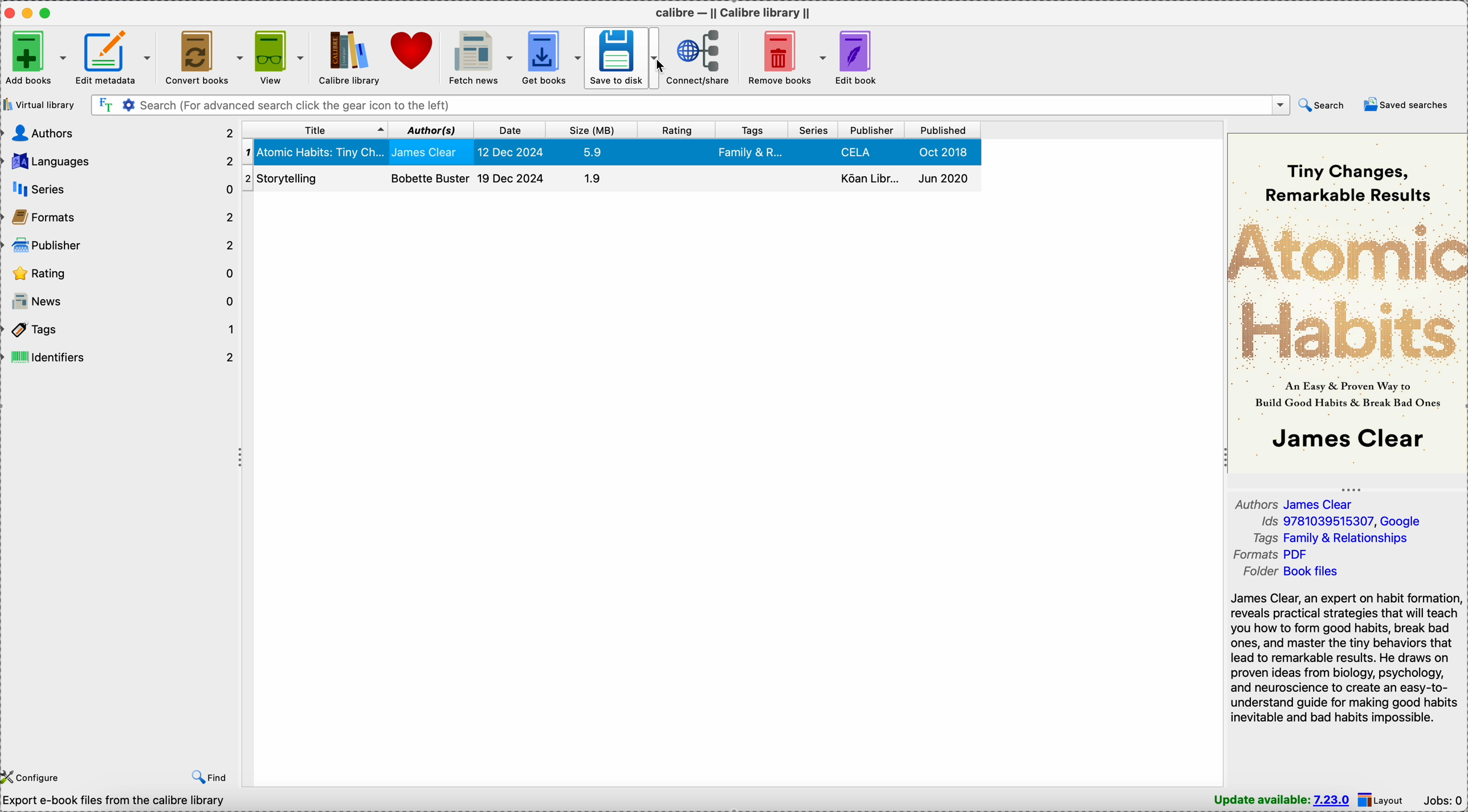 The width and height of the screenshot is (1468, 812). What do you see at coordinates (674, 130) in the screenshot?
I see `rating` at bounding box center [674, 130].